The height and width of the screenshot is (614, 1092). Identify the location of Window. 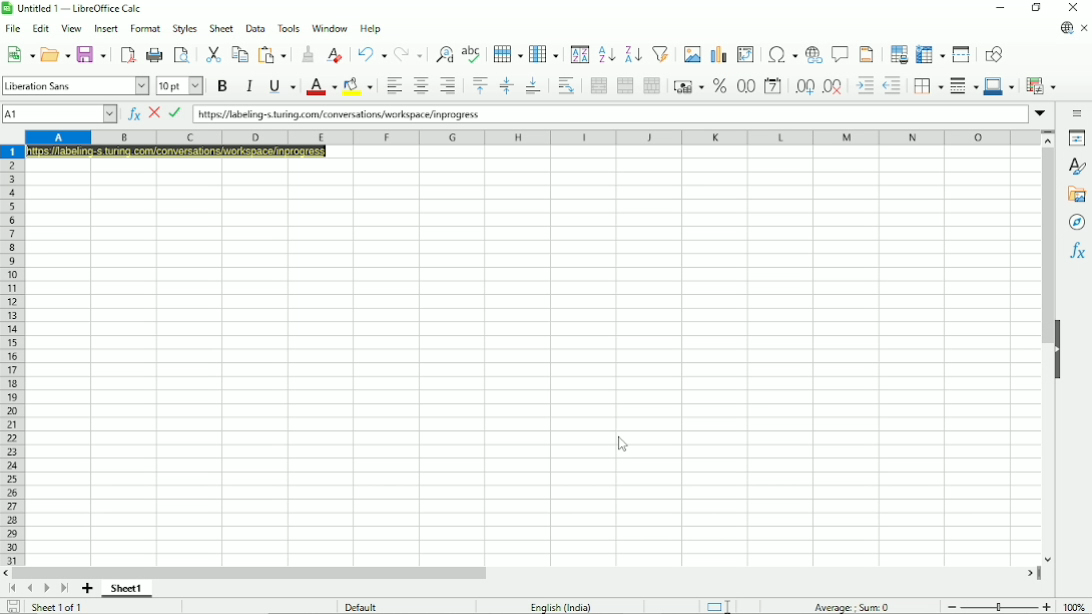
(330, 28).